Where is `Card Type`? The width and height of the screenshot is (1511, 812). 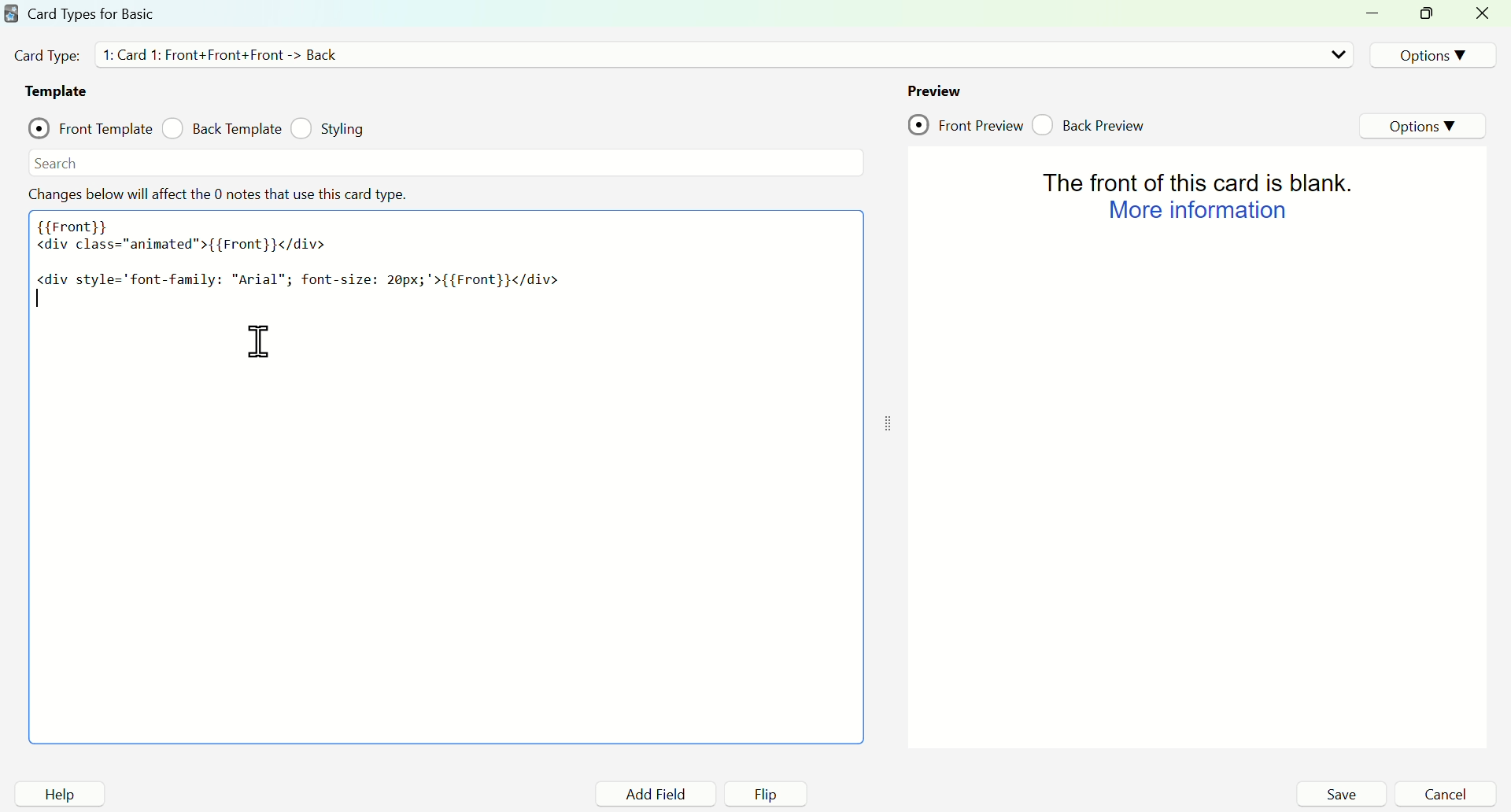 Card Type is located at coordinates (46, 55).